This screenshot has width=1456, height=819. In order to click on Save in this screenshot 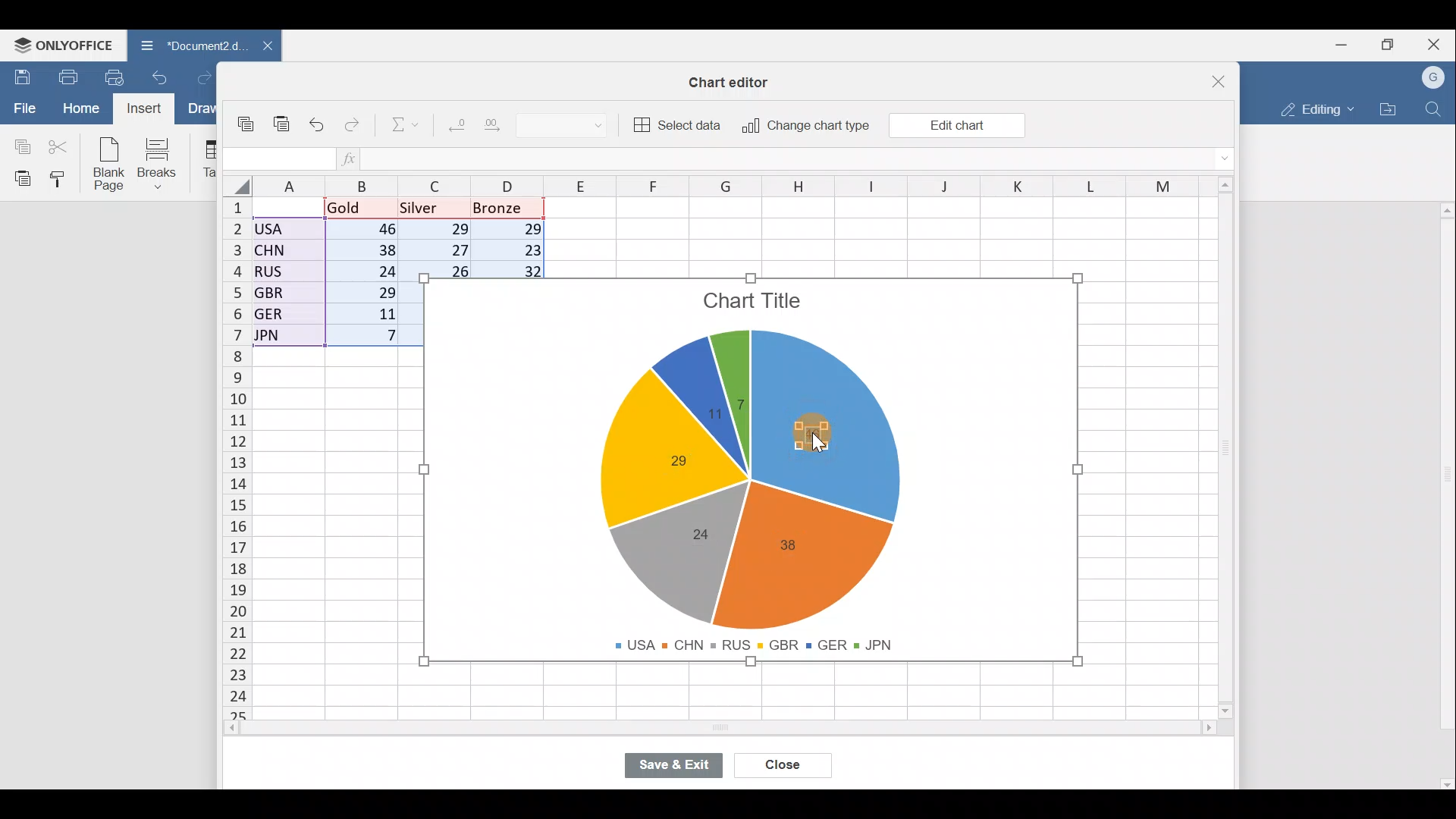, I will do `click(19, 77)`.